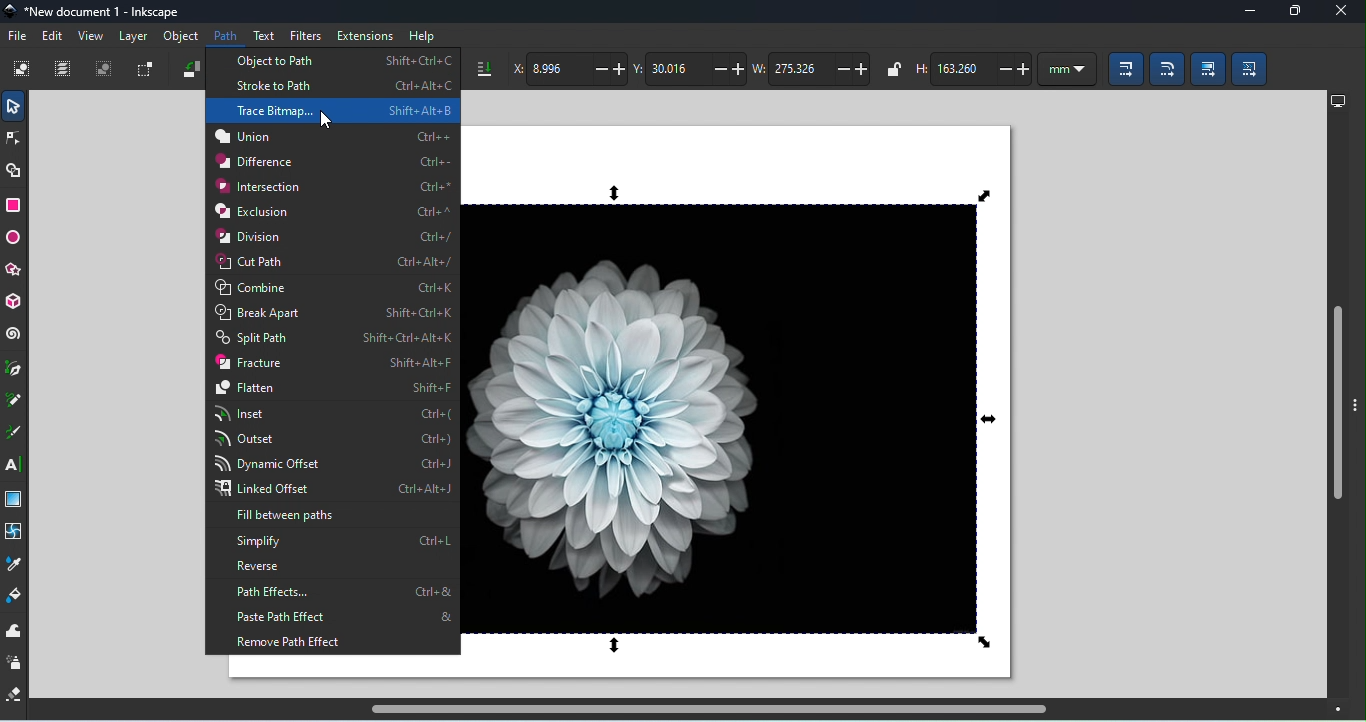 The image size is (1366, 722). I want to click on Object rotate 90 CCW, so click(191, 72).